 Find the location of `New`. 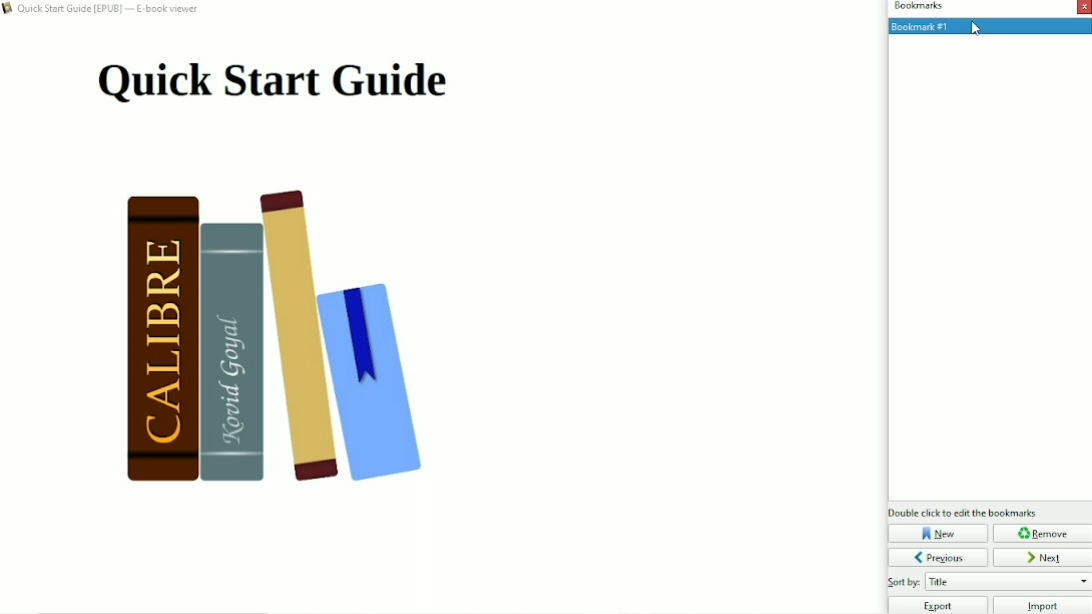

New is located at coordinates (938, 533).